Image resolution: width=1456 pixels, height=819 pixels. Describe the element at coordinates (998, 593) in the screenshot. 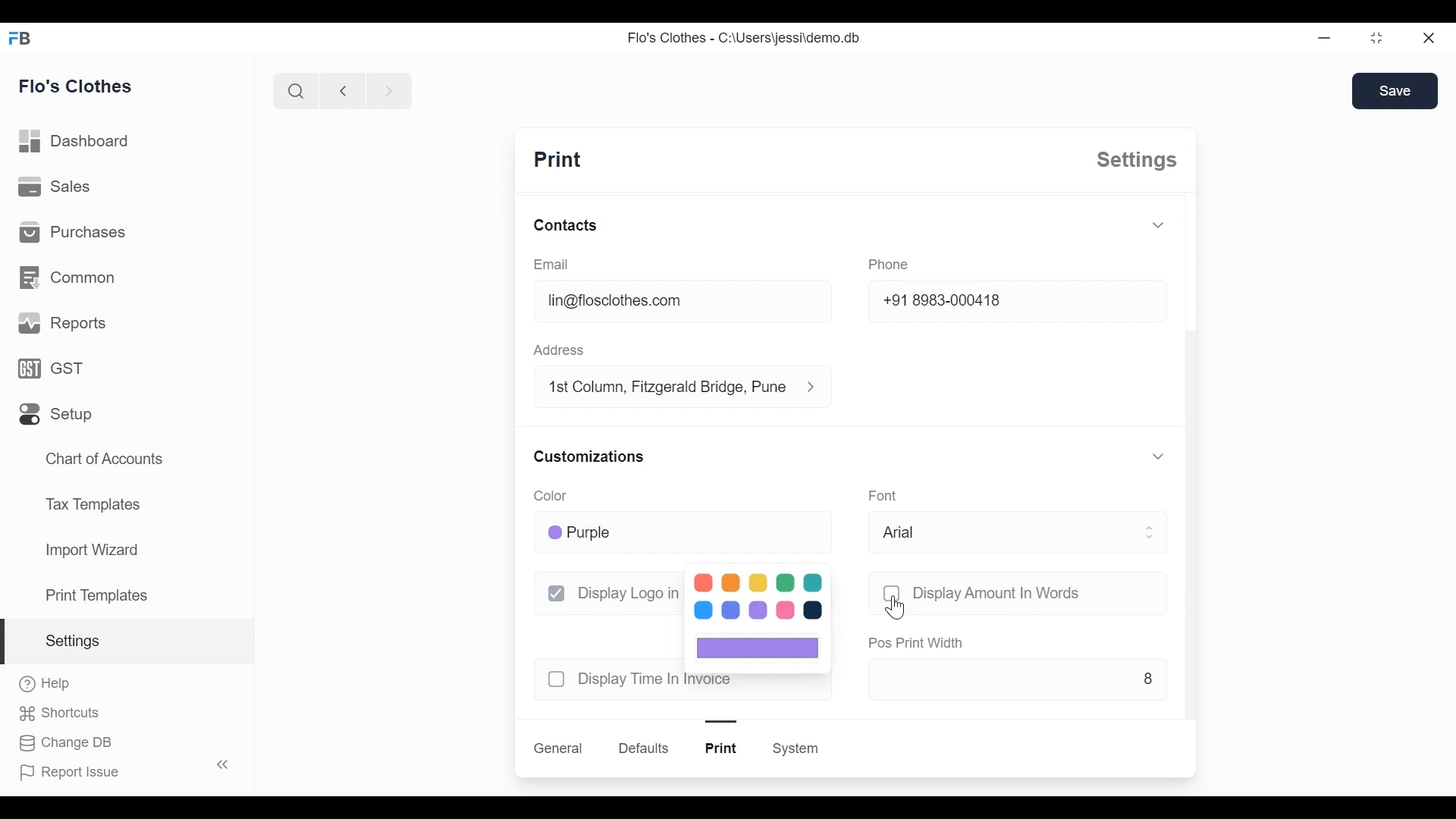

I see `display amount in words` at that location.